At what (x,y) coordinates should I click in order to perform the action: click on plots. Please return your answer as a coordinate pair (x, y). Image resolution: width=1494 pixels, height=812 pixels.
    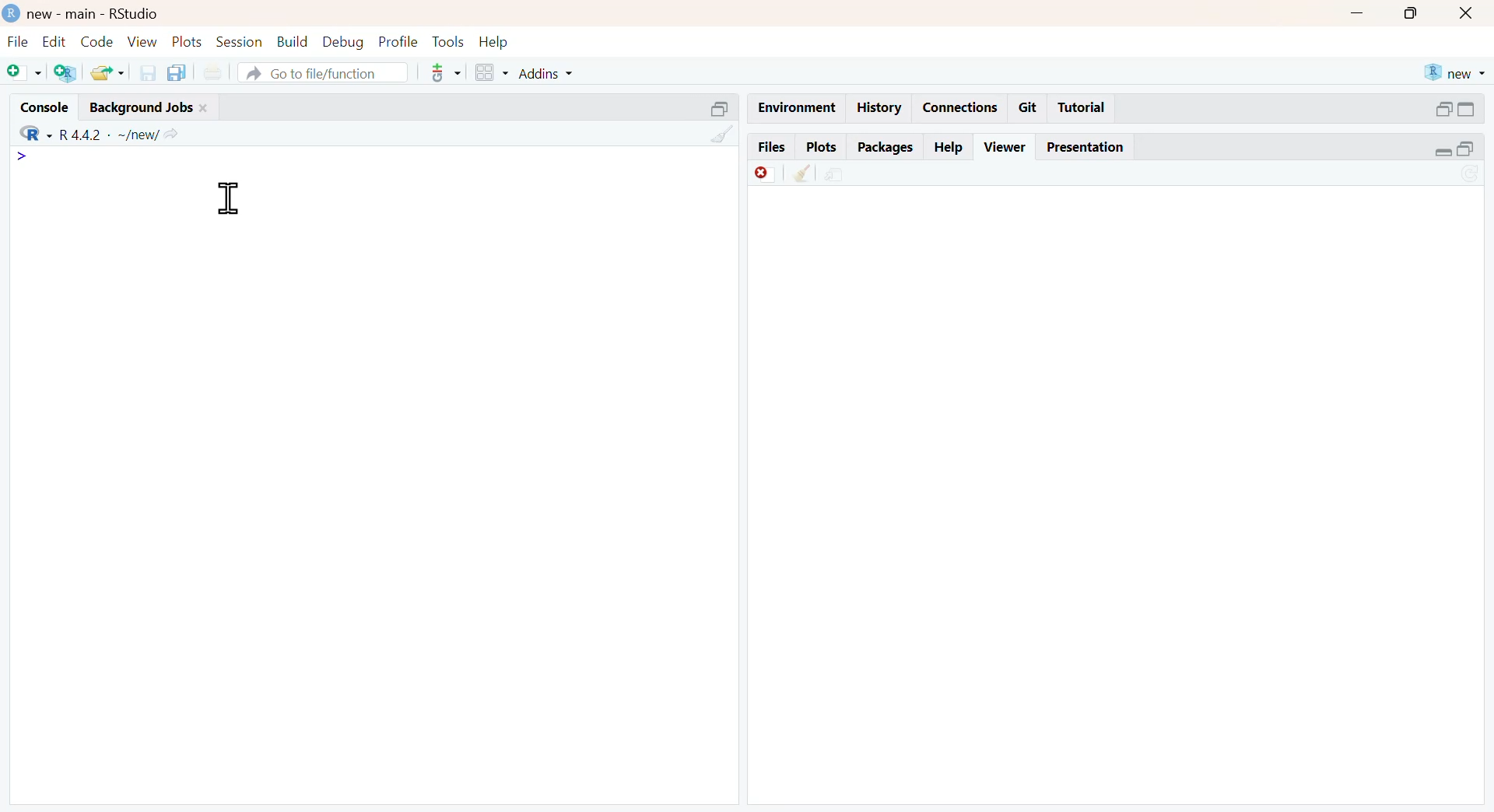
    Looking at the image, I should click on (821, 147).